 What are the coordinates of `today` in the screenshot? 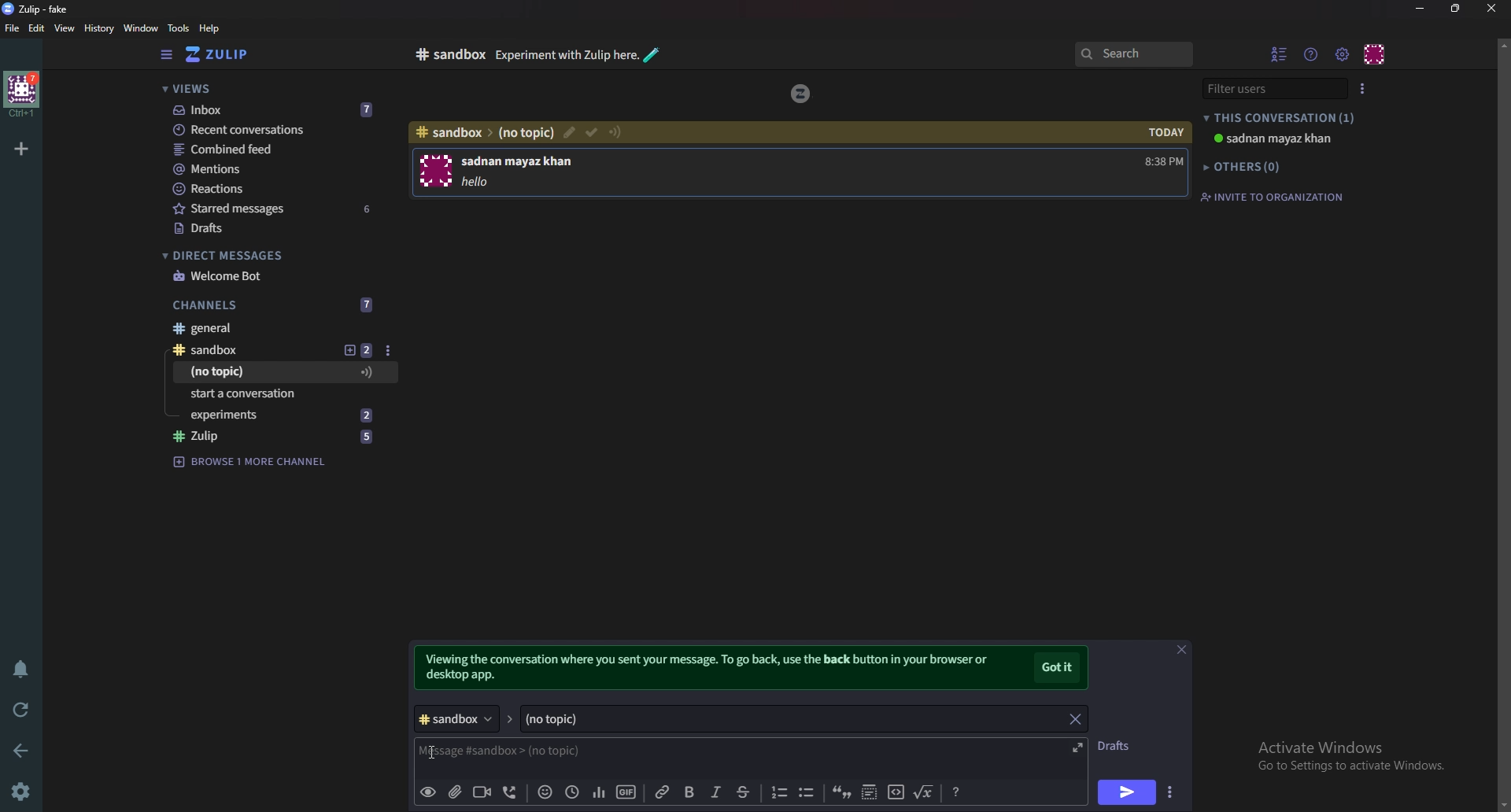 It's located at (1166, 131).